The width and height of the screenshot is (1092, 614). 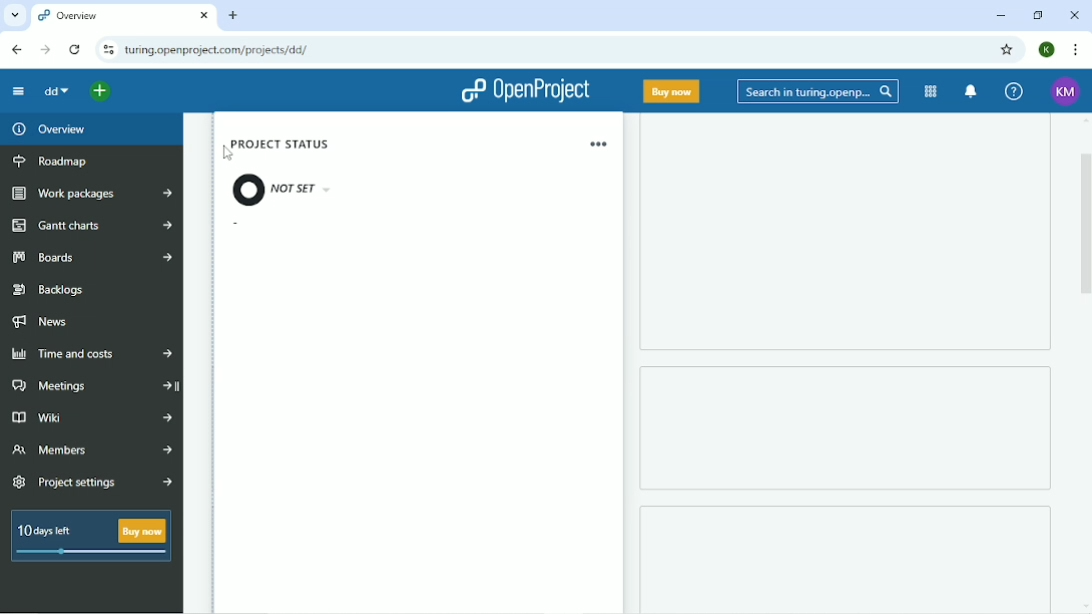 What do you see at coordinates (218, 50) in the screenshot?
I see `Site` at bounding box center [218, 50].